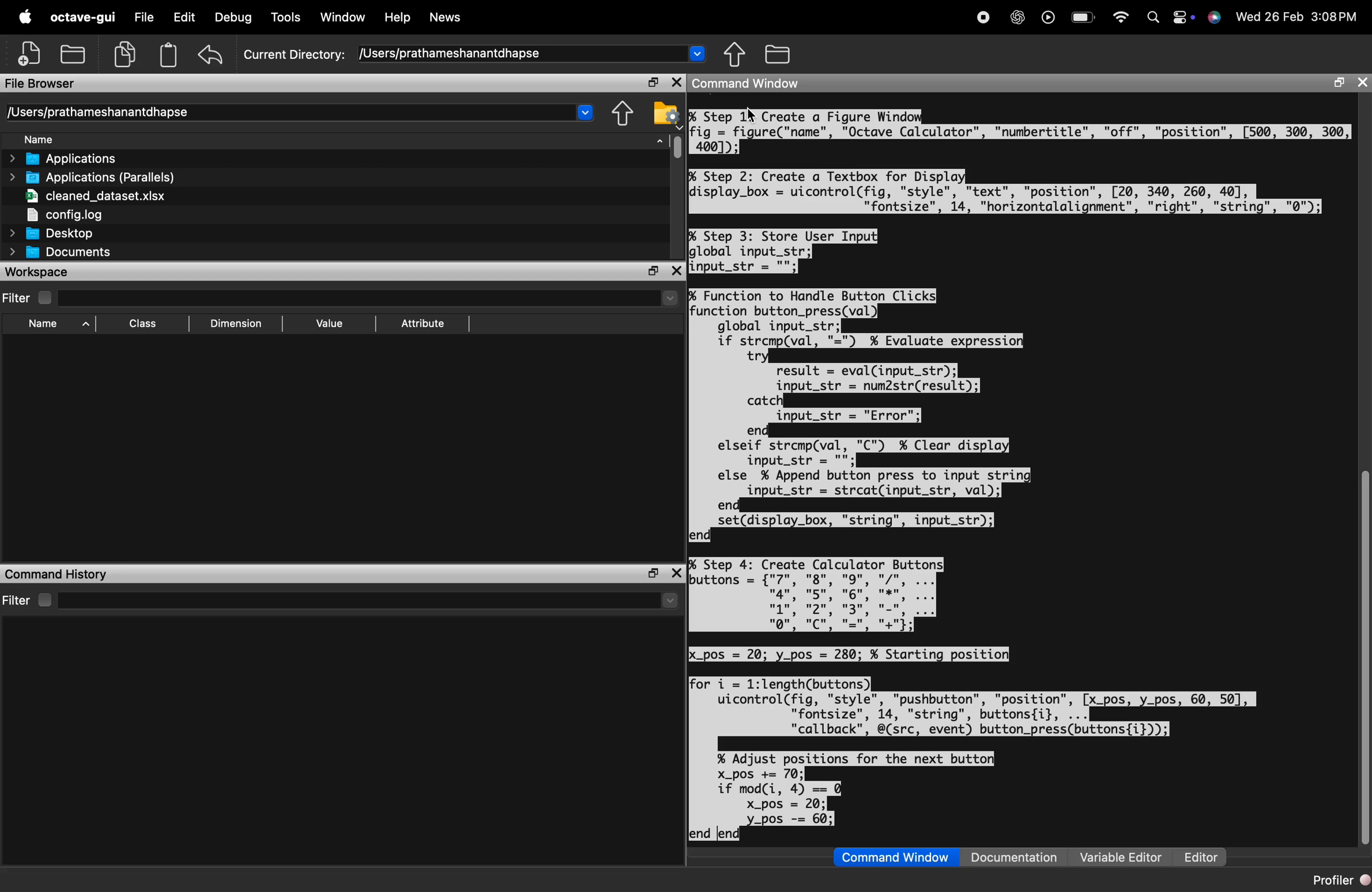  Describe the element at coordinates (986, 84) in the screenshot. I see `Command Window` at that location.